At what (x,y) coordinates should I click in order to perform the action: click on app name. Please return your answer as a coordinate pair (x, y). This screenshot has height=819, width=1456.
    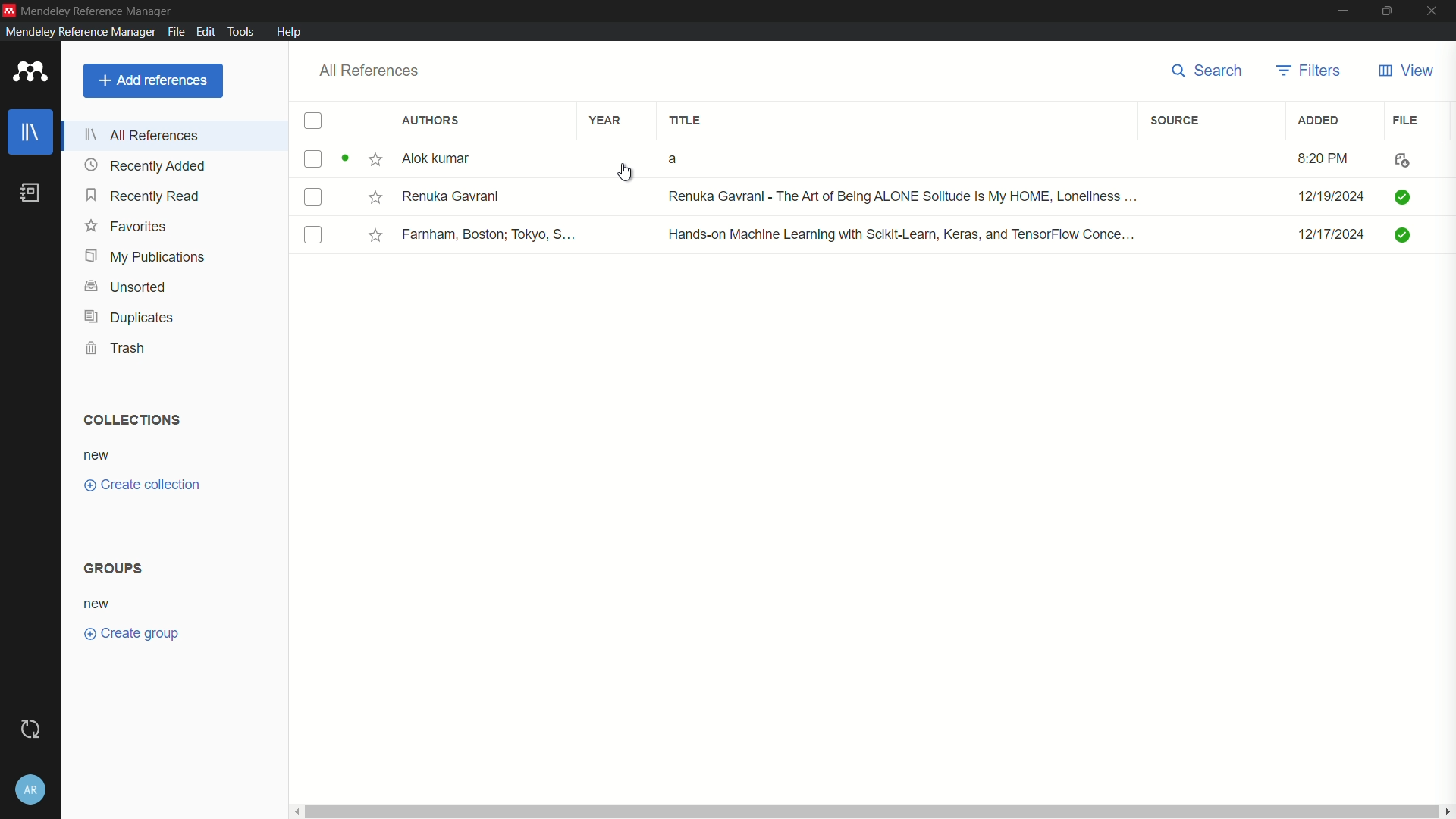
    Looking at the image, I should click on (98, 11).